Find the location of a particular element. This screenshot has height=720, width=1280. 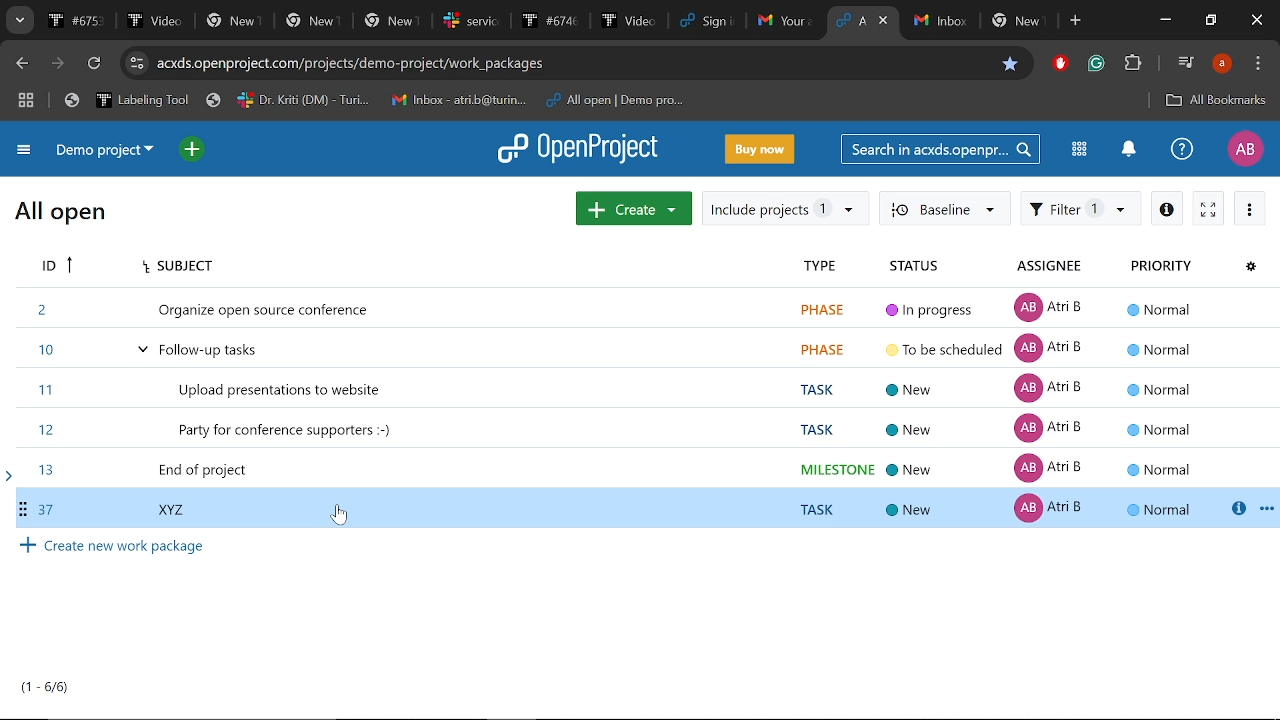

Priority is located at coordinates (1160, 268).